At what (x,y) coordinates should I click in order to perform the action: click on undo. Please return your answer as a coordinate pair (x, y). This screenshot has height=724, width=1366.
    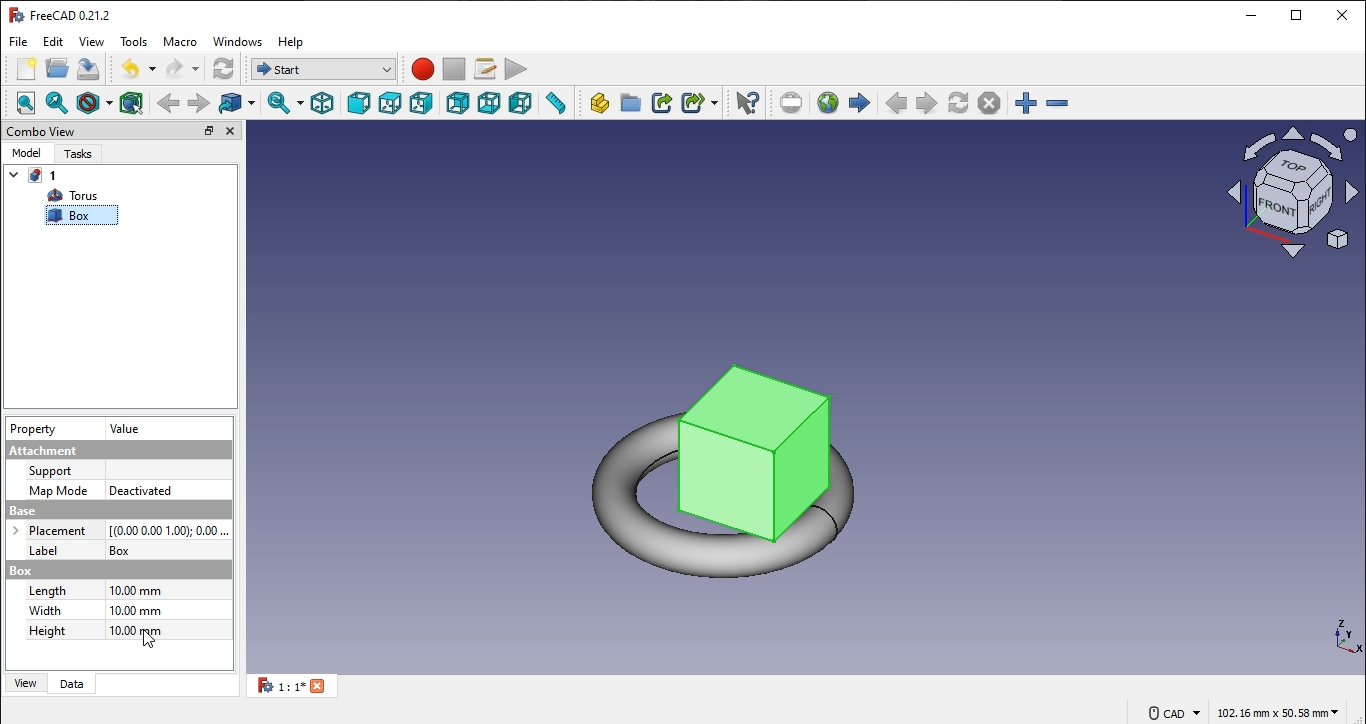
    Looking at the image, I should click on (138, 68).